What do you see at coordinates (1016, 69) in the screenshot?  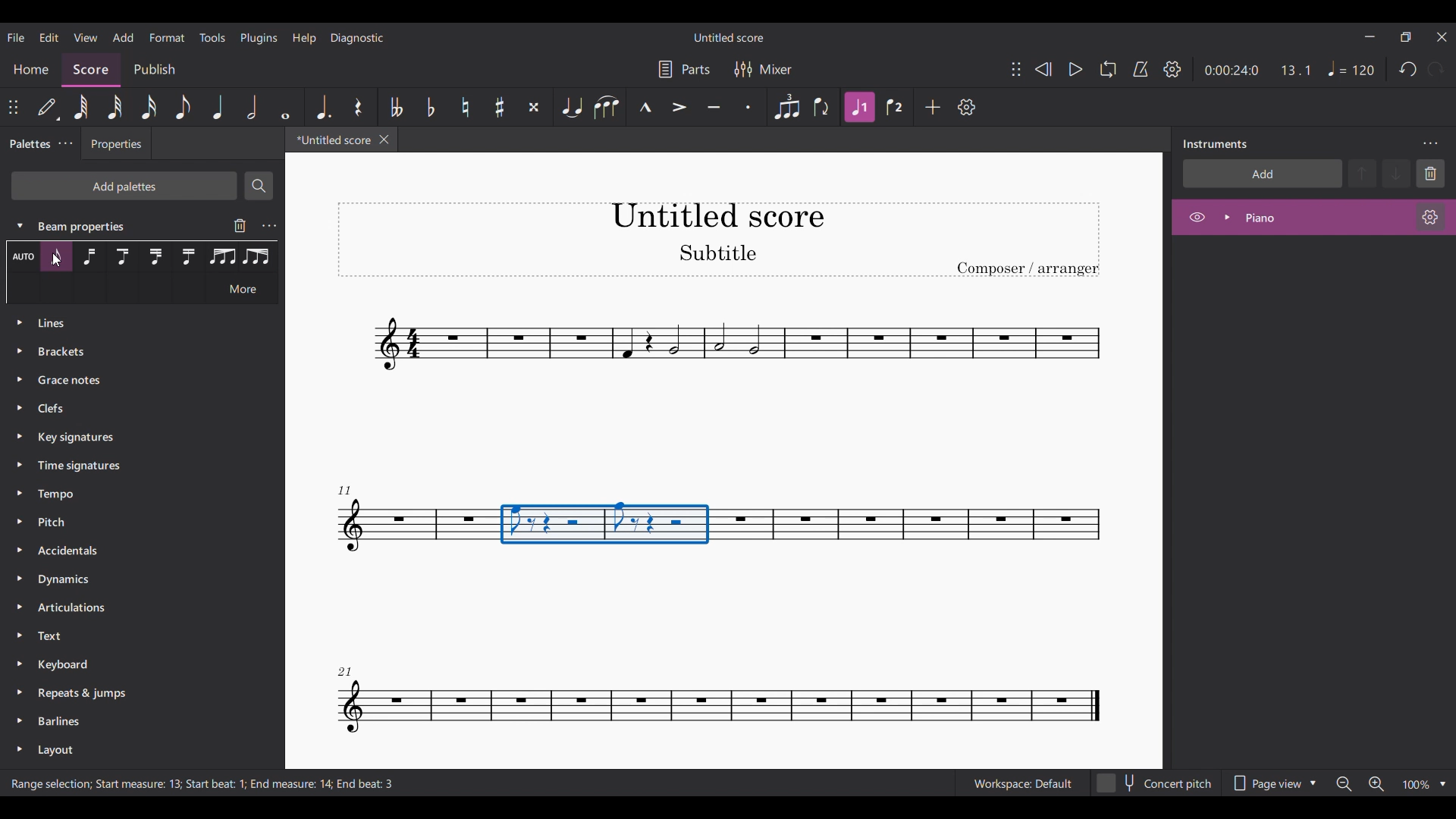 I see `Change position of toolbar` at bounding box center [1016, 69].